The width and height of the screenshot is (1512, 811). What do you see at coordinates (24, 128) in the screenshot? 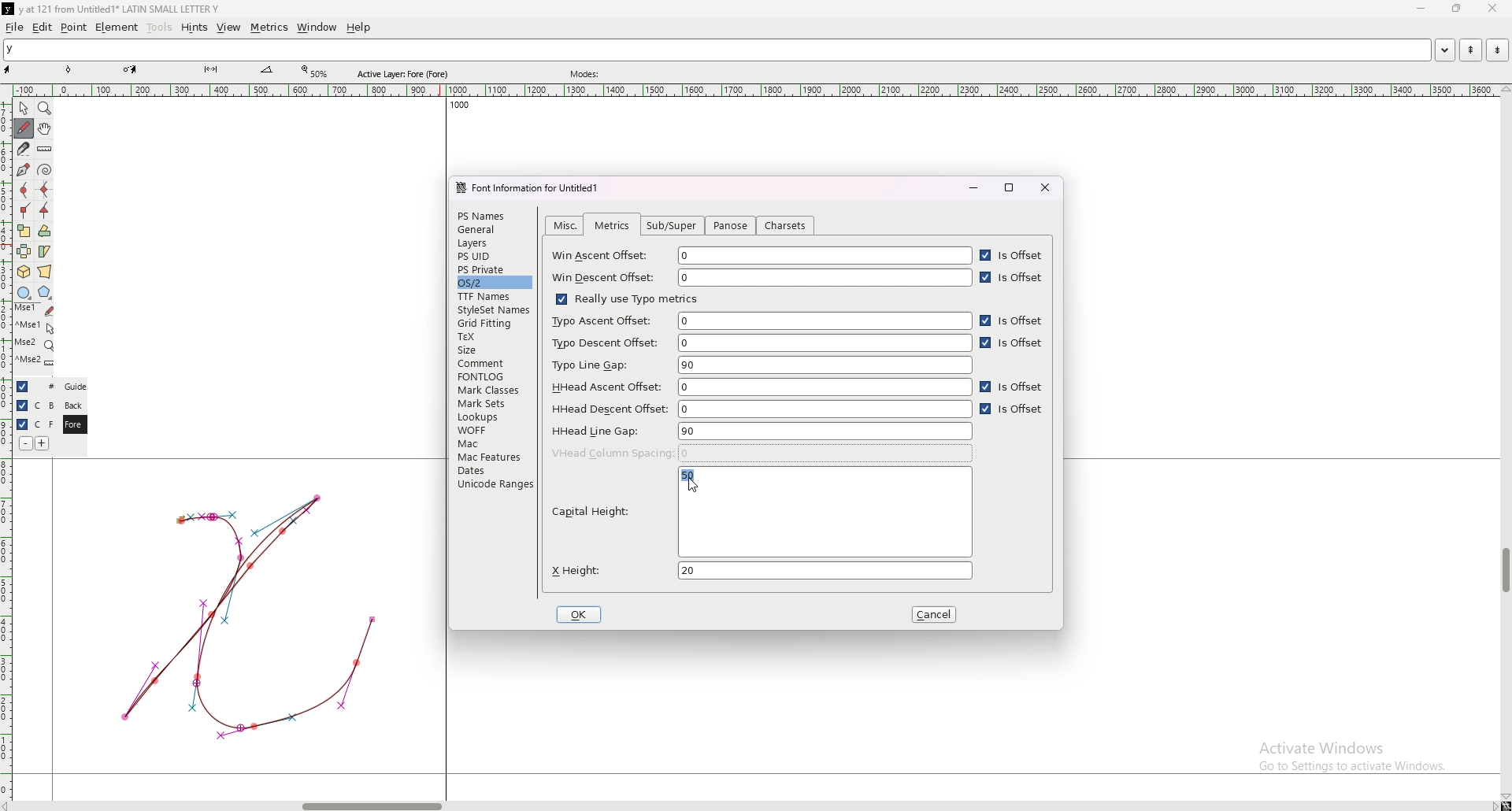
I see `draw freehand` at bounding box center [24, 128].